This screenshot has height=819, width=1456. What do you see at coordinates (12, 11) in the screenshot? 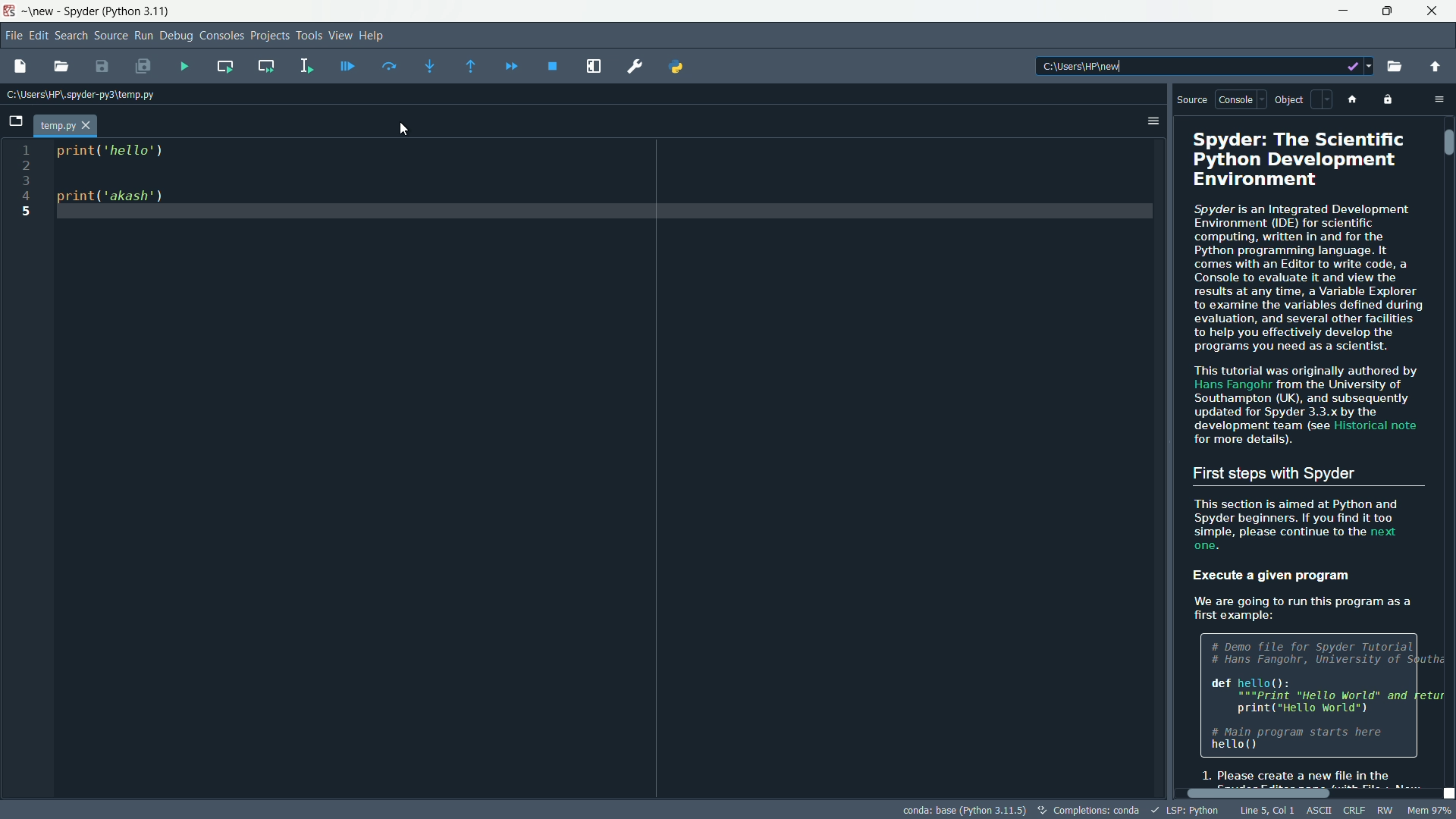
I see `app icon` at bounding box center [12, 11].